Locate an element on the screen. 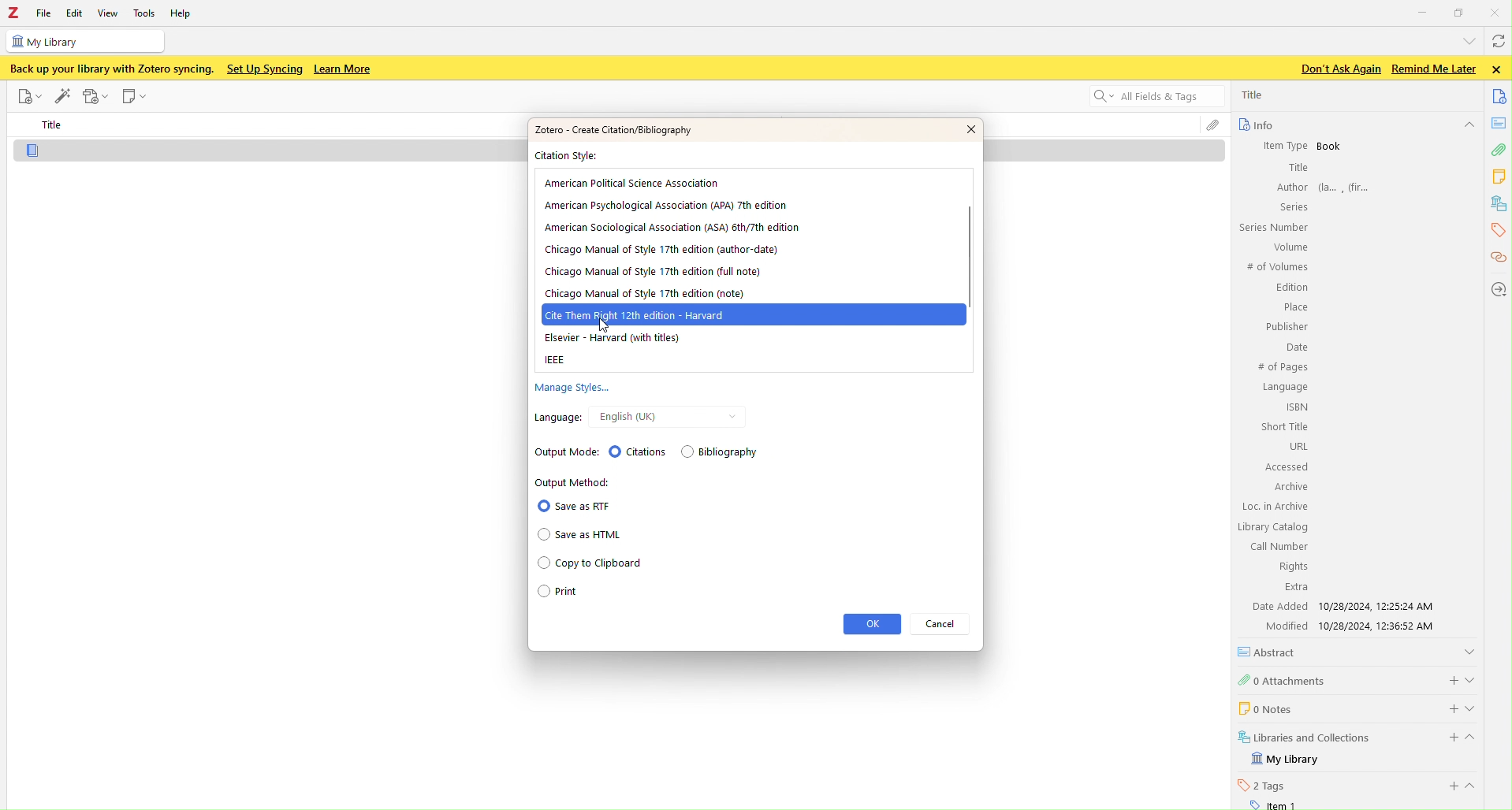 This screenshot has width=1512, height=810. Zotero is located at coordinates (13, 13).